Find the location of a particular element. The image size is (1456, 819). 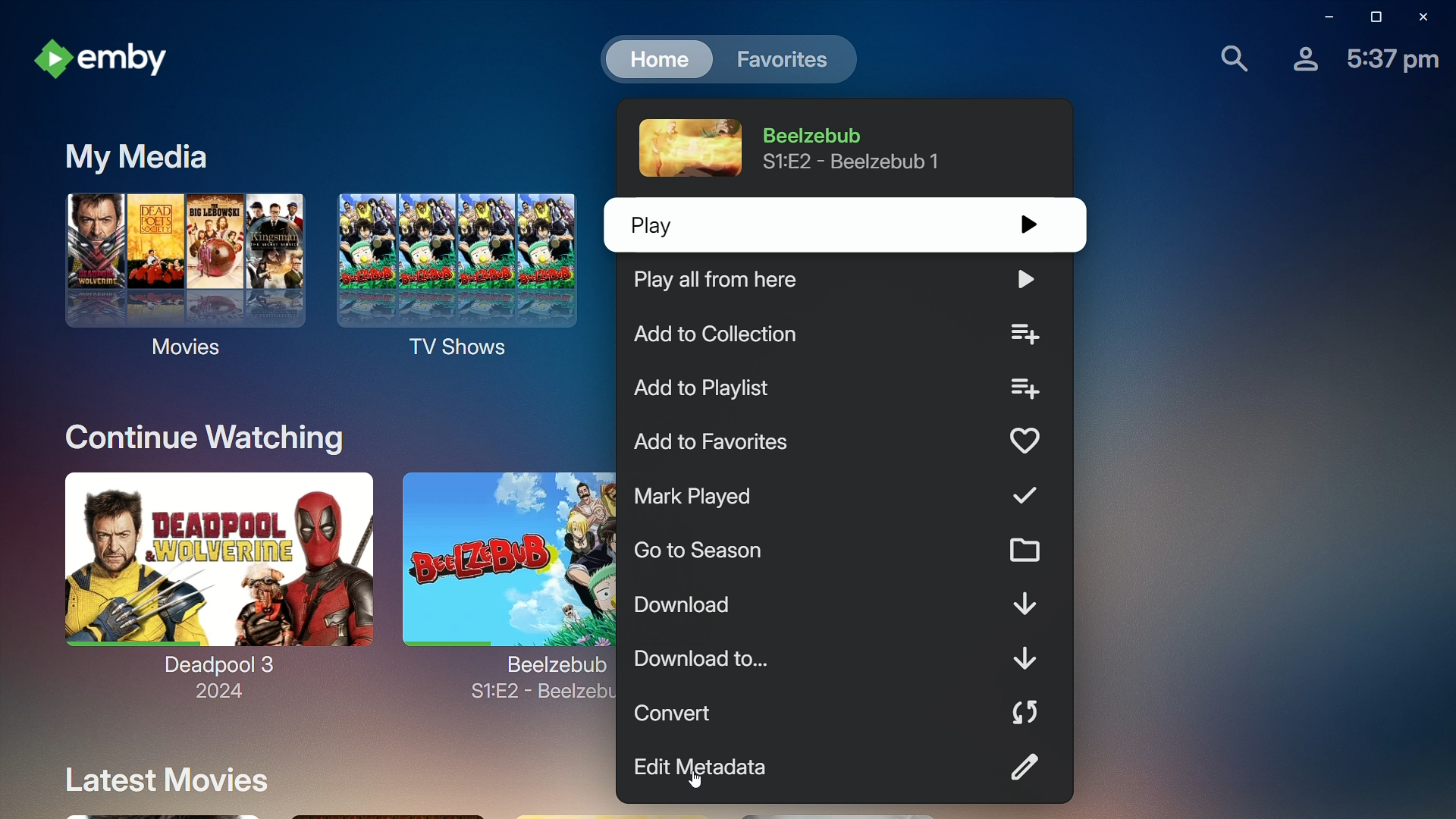

2024 is located at coordinates (210, 694).